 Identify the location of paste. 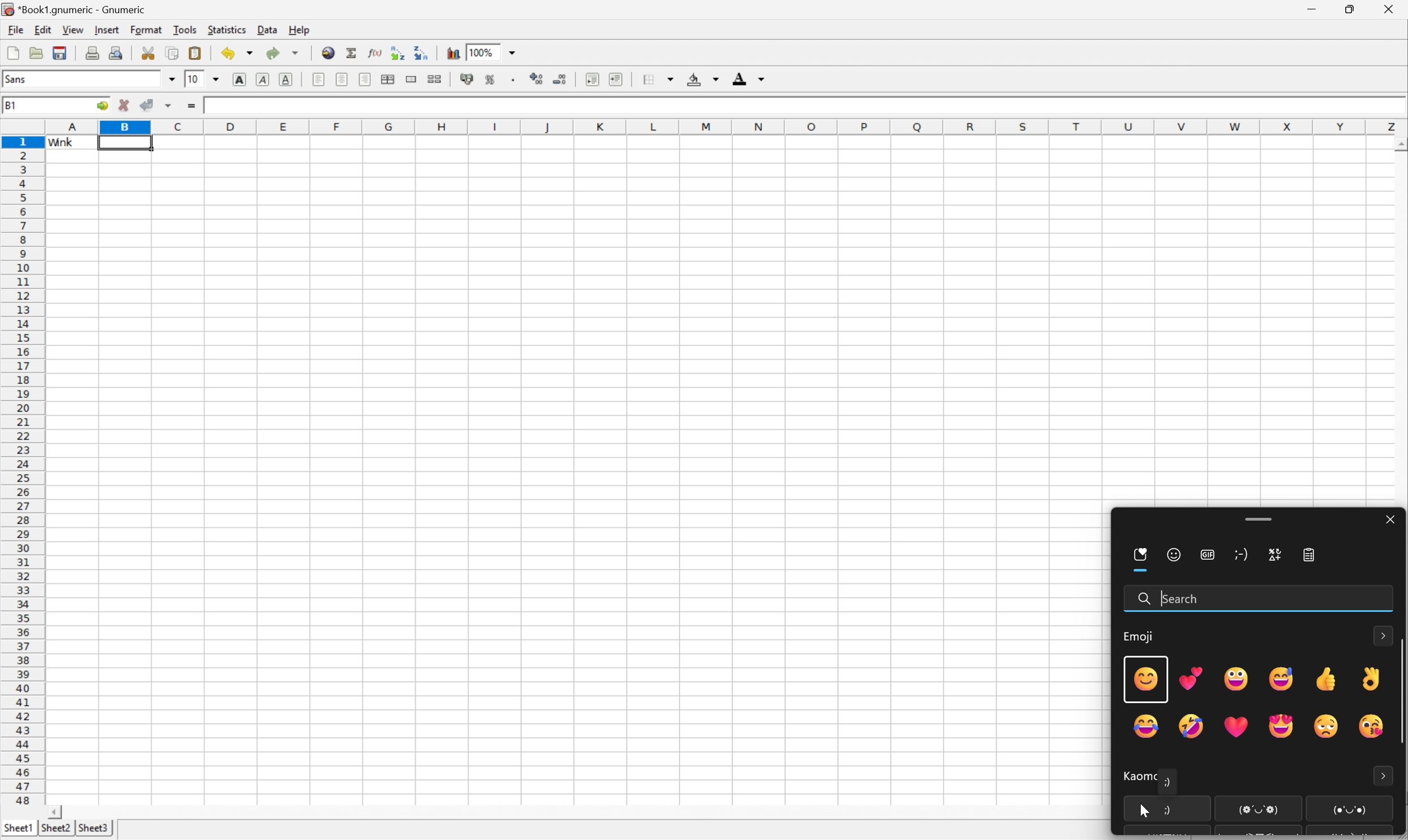
(196, 53).